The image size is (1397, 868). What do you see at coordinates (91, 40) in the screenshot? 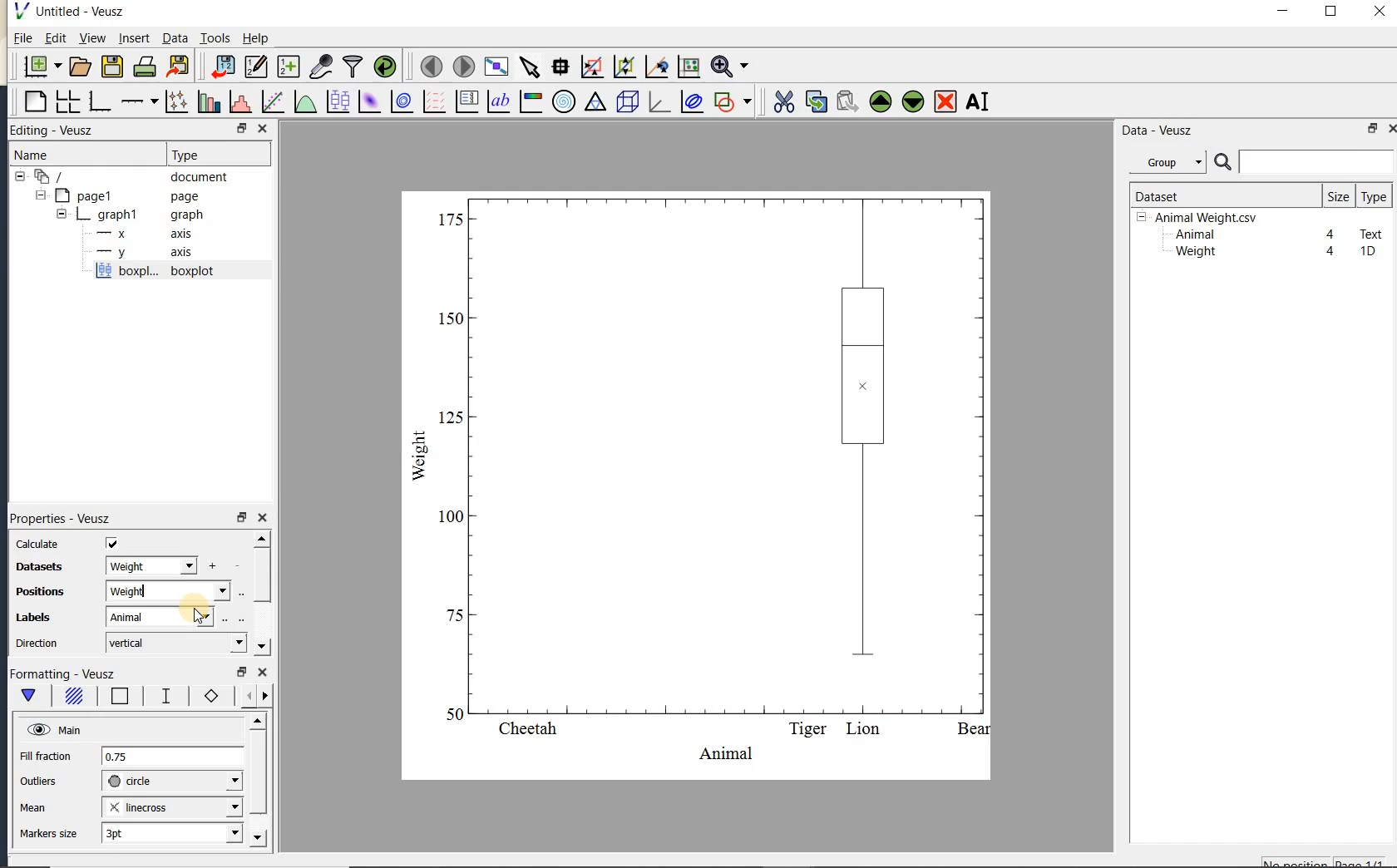
I see `view` at bounding box center [91, 40].